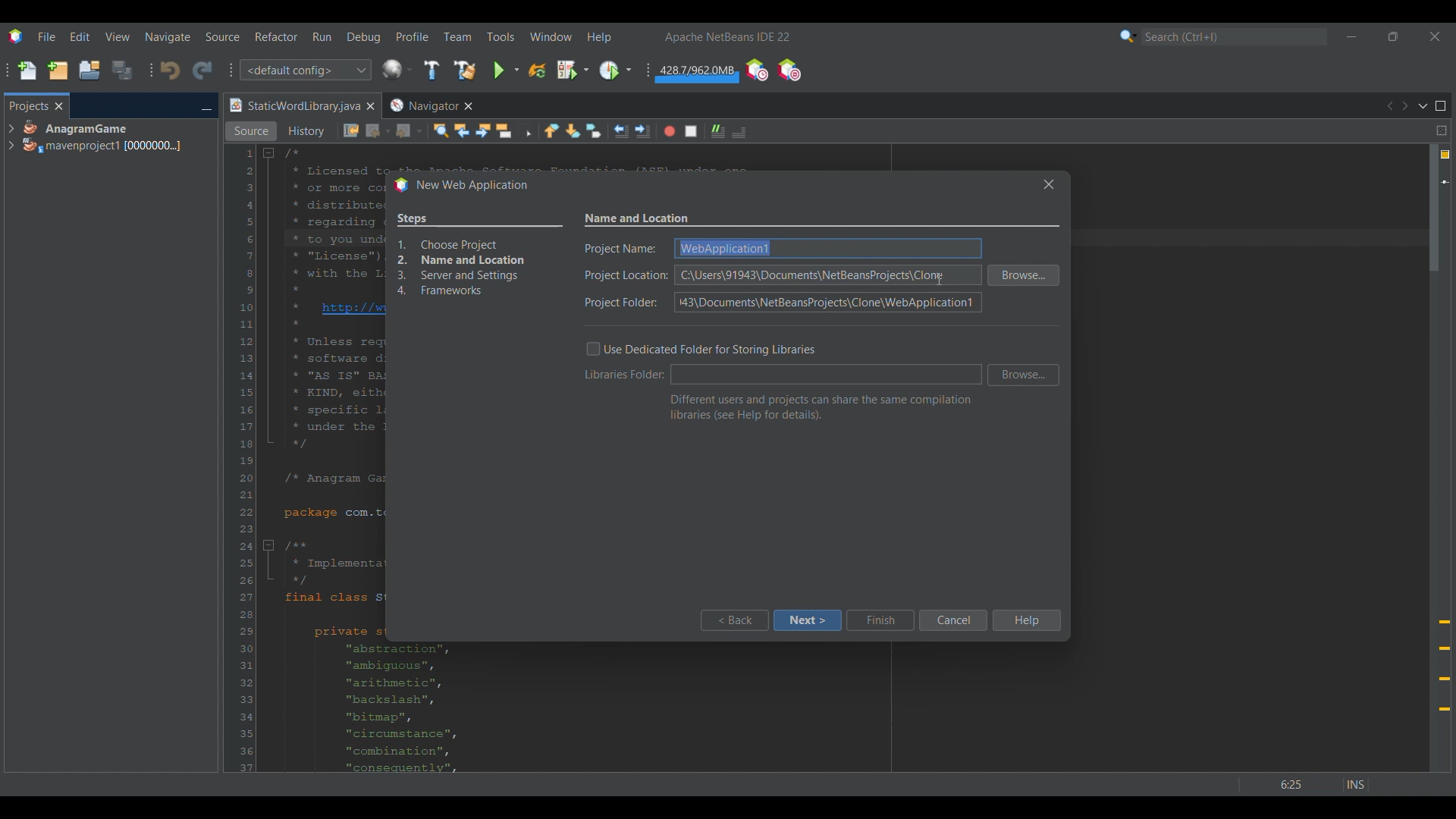 The image size is (1456, 819). Describe the element at coordinates (168, 37) in the screenshot. I see `Naviagate menu` at that location.